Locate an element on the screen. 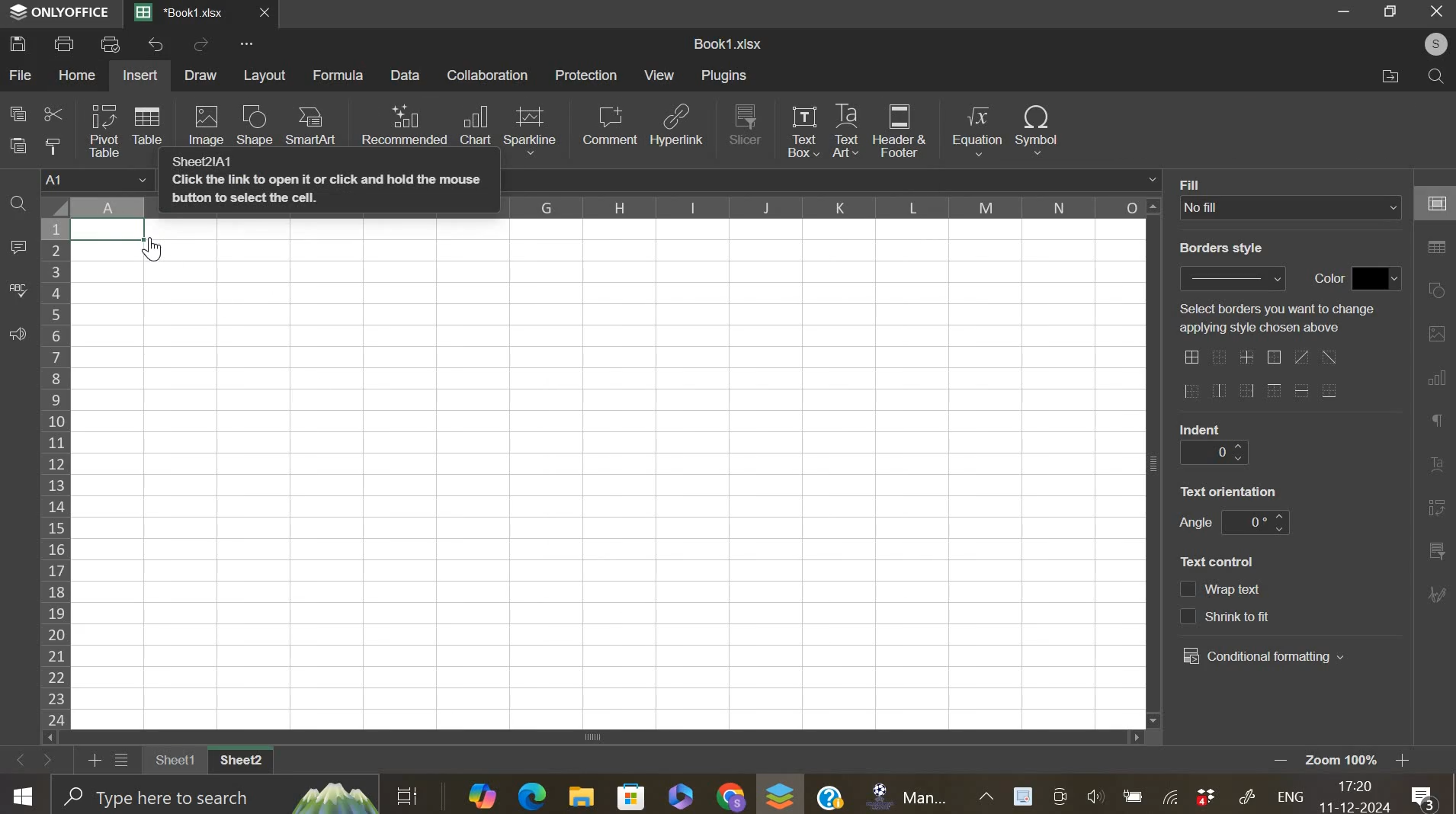 The height and width of the screenshot is (814, 1456). save is located at coordinates (18, 43).